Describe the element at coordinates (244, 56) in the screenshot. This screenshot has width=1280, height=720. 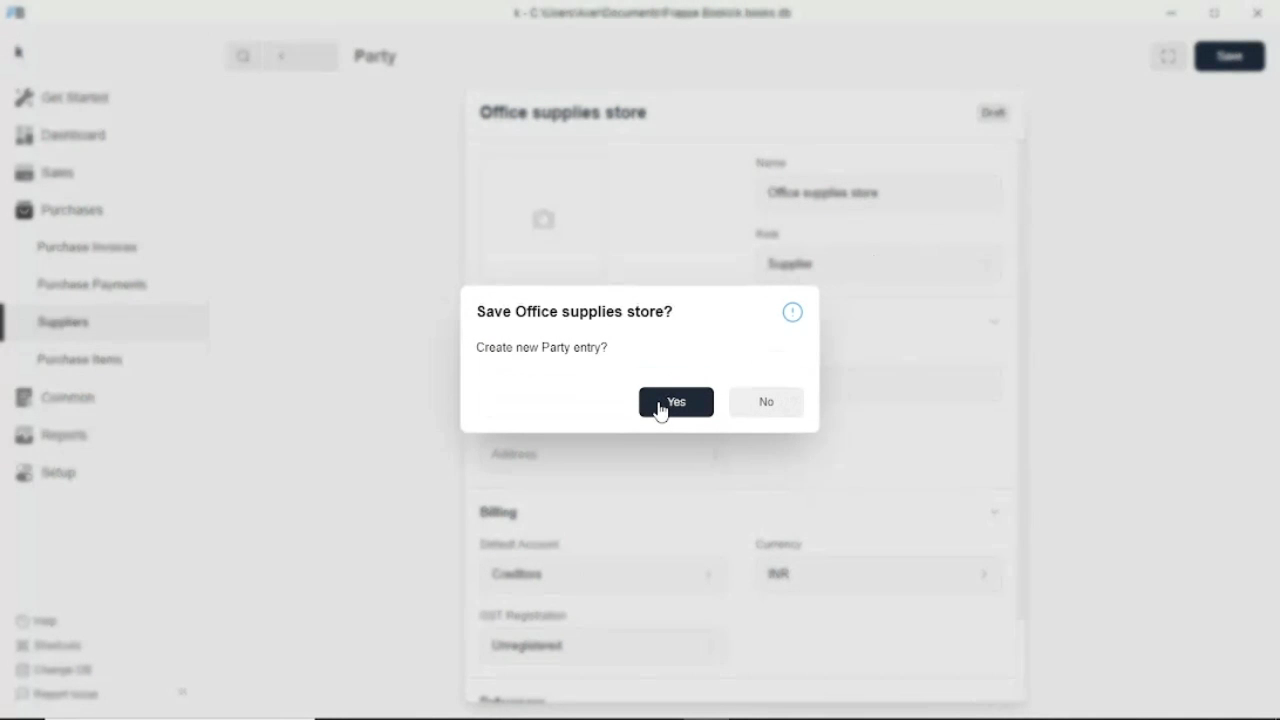
I see `Search` at that location.